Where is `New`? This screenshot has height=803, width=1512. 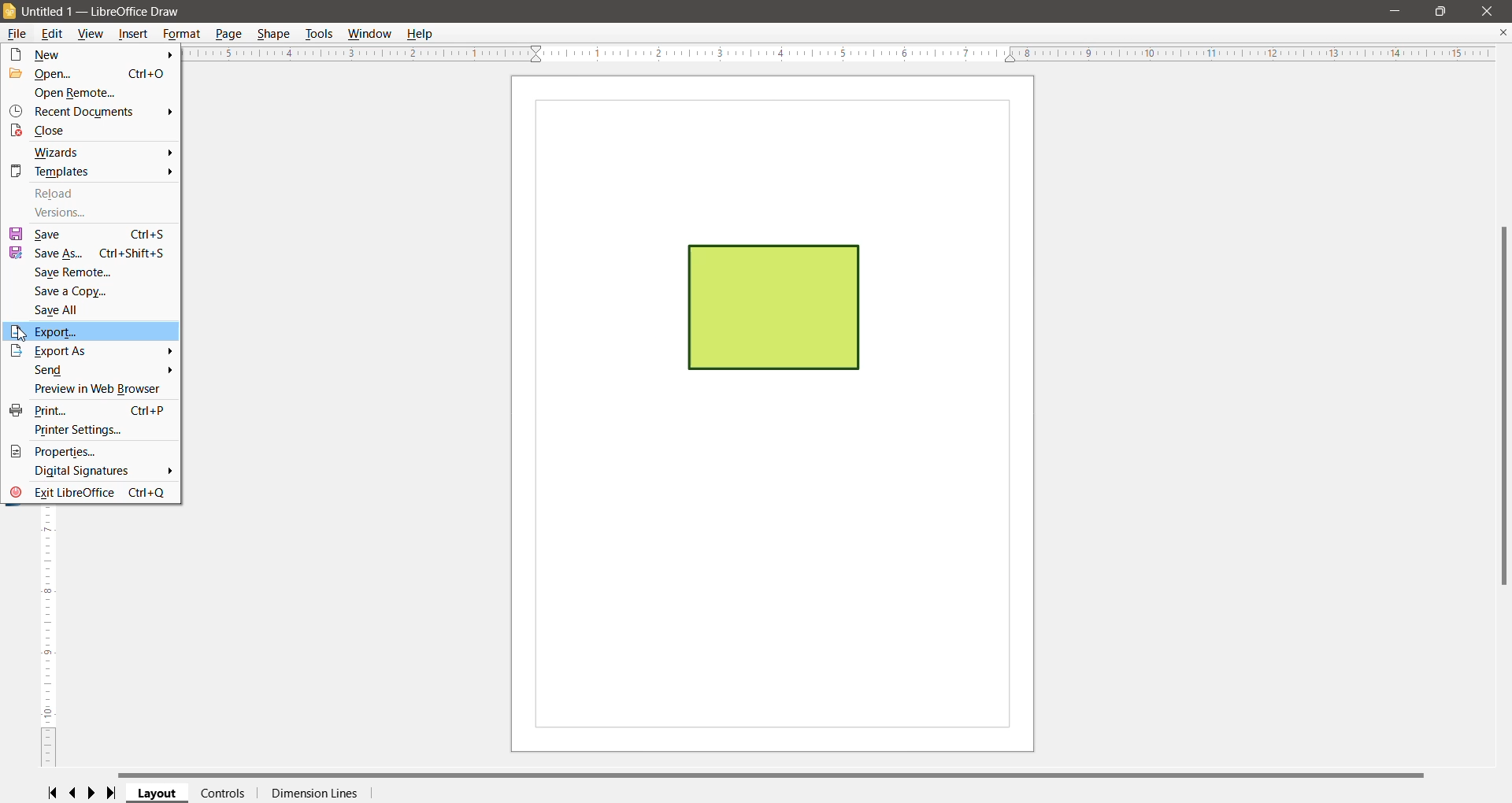
New is located at coordinates (74, 55).